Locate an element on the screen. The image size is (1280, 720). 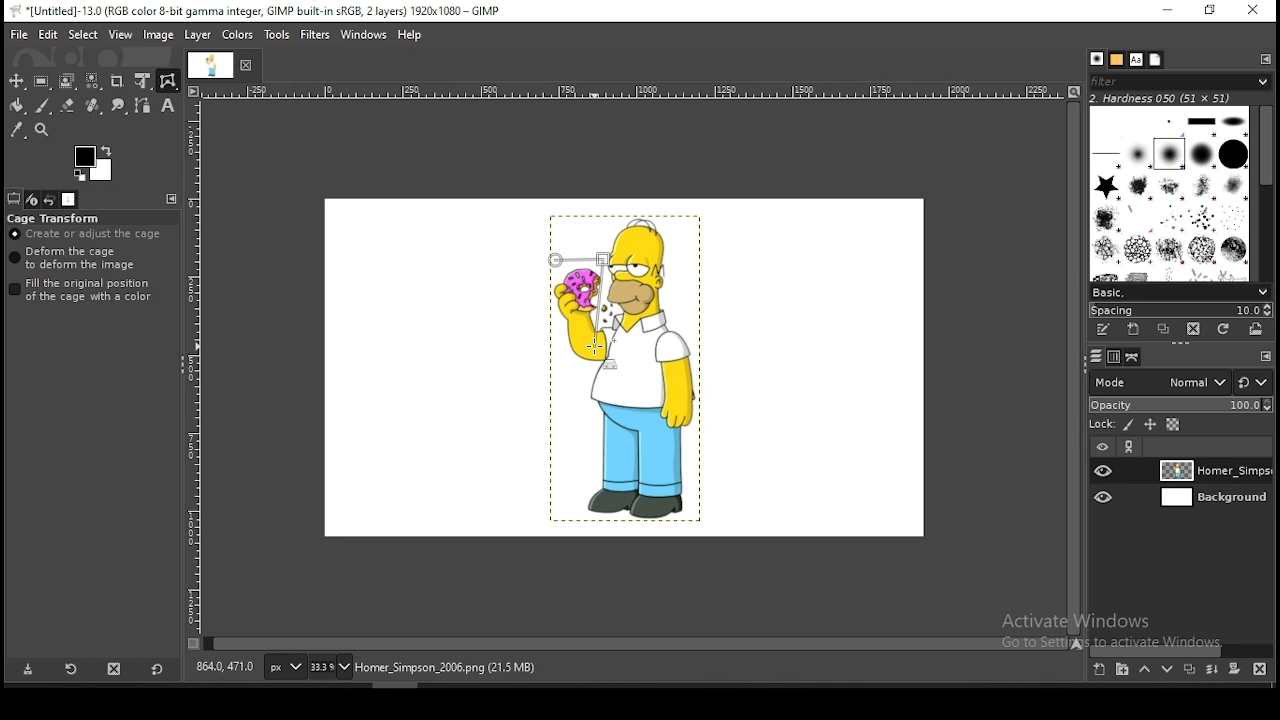
minimize is located at coordinates (1168, 11).